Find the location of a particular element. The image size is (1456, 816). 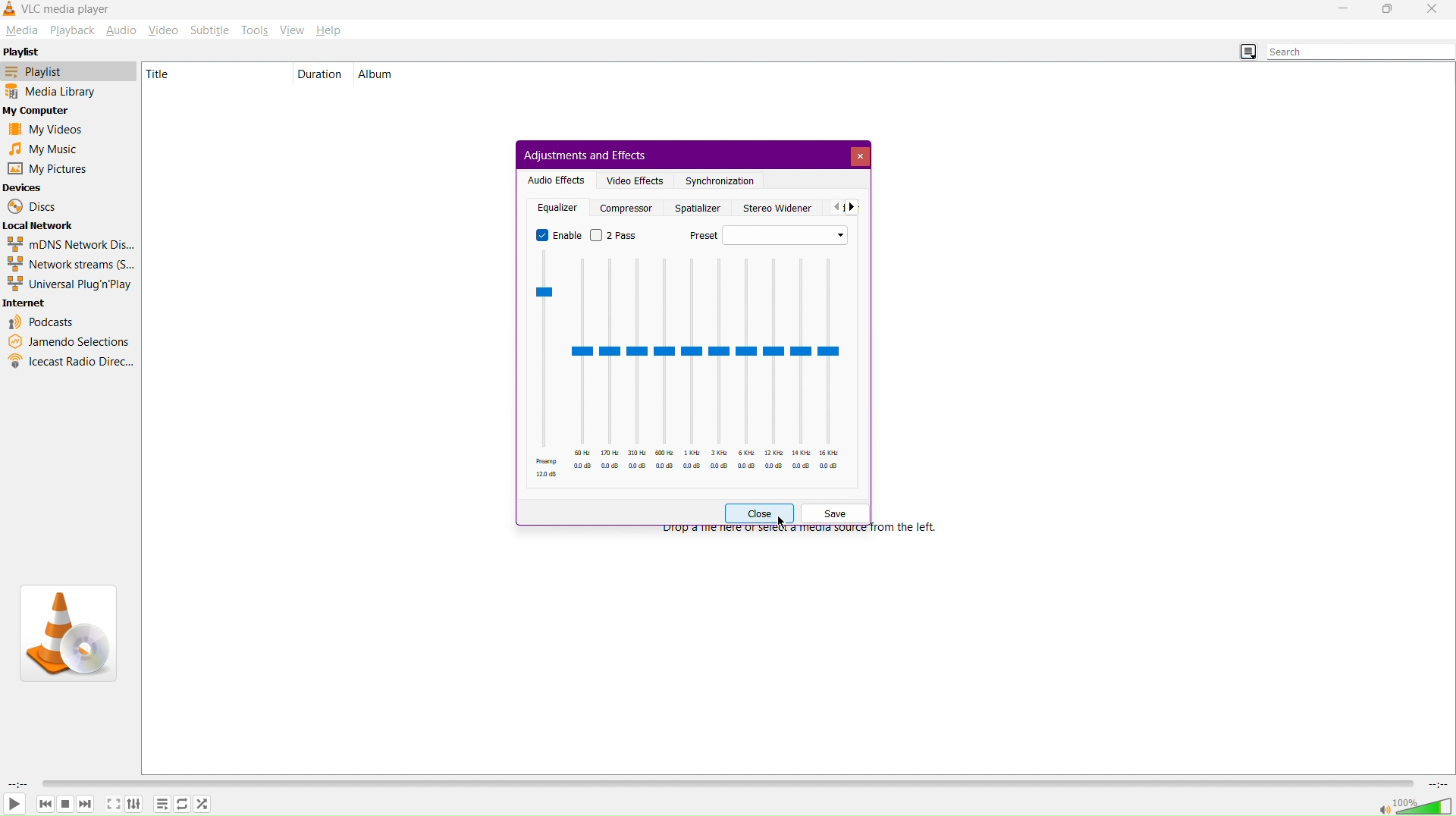

Universal Plug'n'Play is located at coordinates (70, 284).